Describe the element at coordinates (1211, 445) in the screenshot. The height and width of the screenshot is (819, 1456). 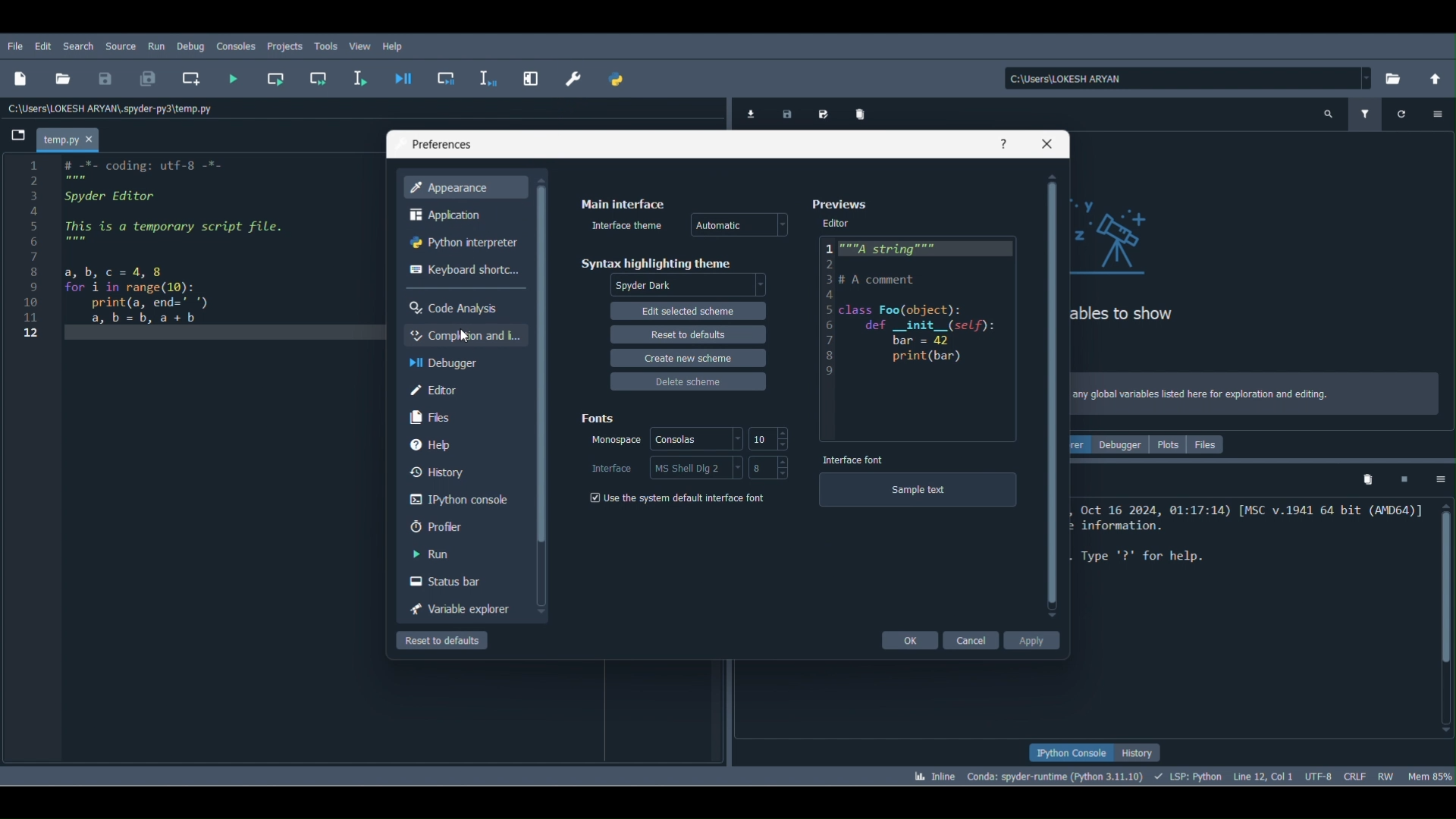
I see `Files` at that location.